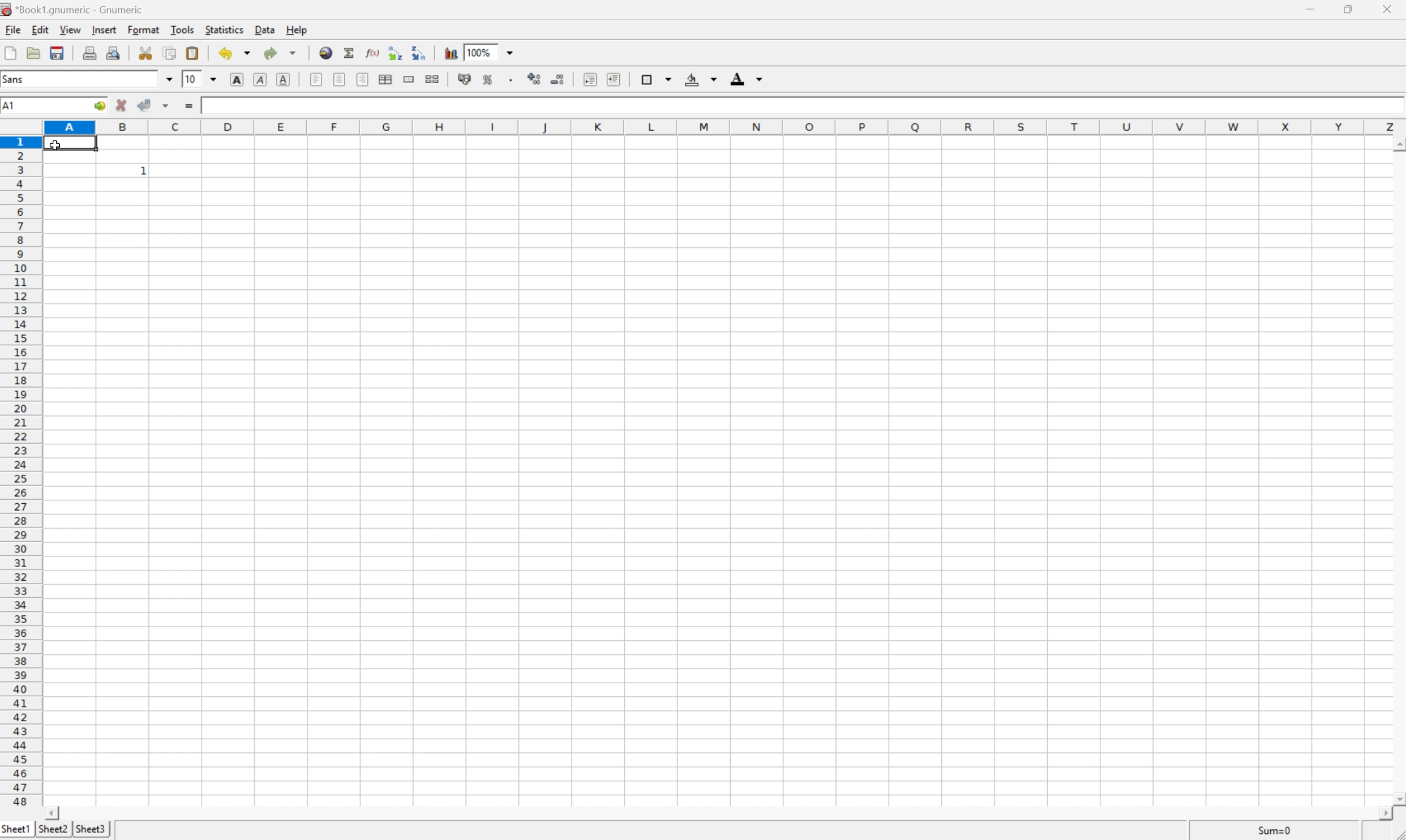 The height and width of the screenshot is (840, 1406). Describe the element at coordinates (746, 79) in the screenshot. I see `foreground` at that location.